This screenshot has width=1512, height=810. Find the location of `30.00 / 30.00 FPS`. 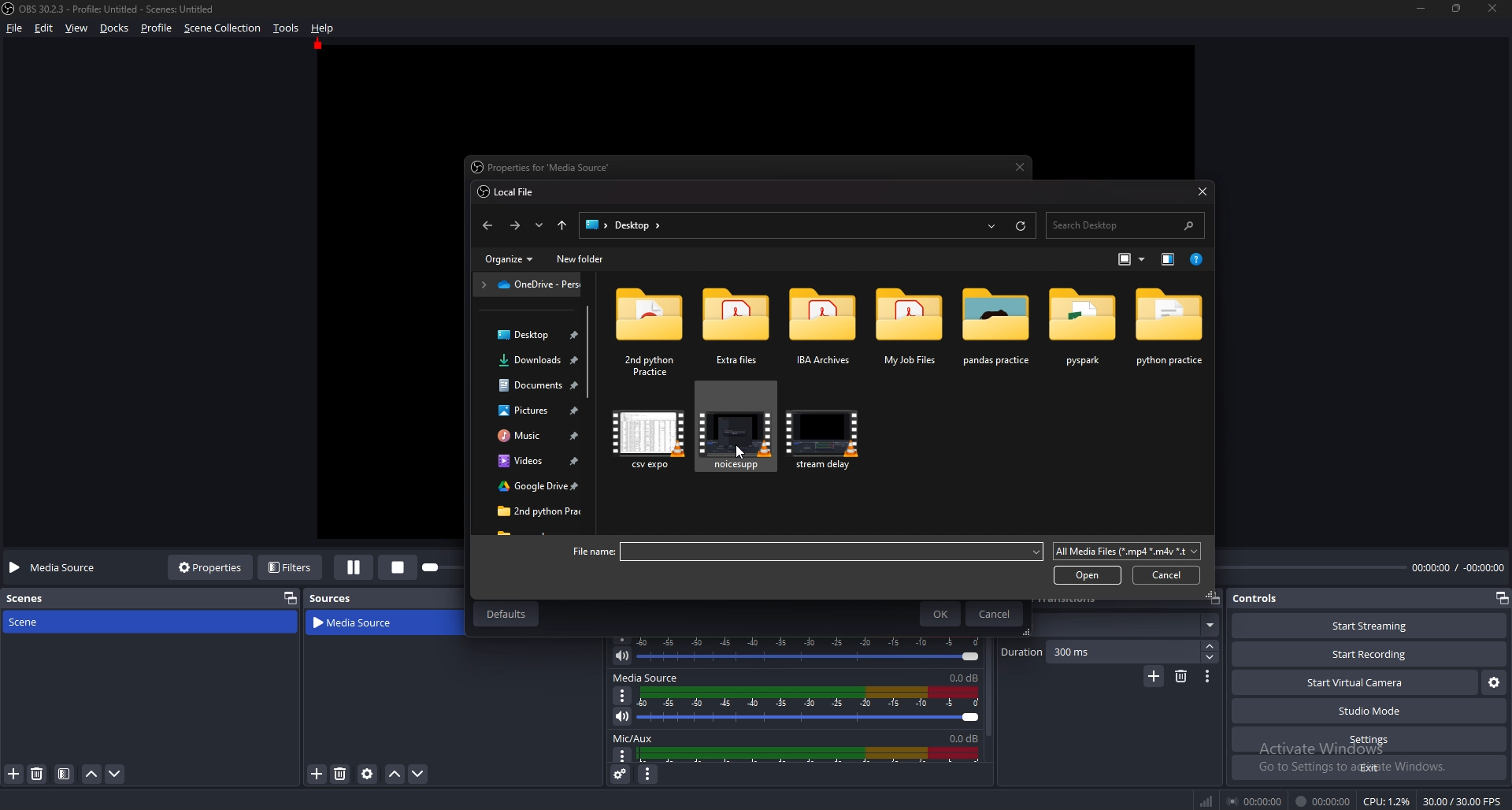

30.00 / 30.00 FPS is located at coordinates (1462, 801).